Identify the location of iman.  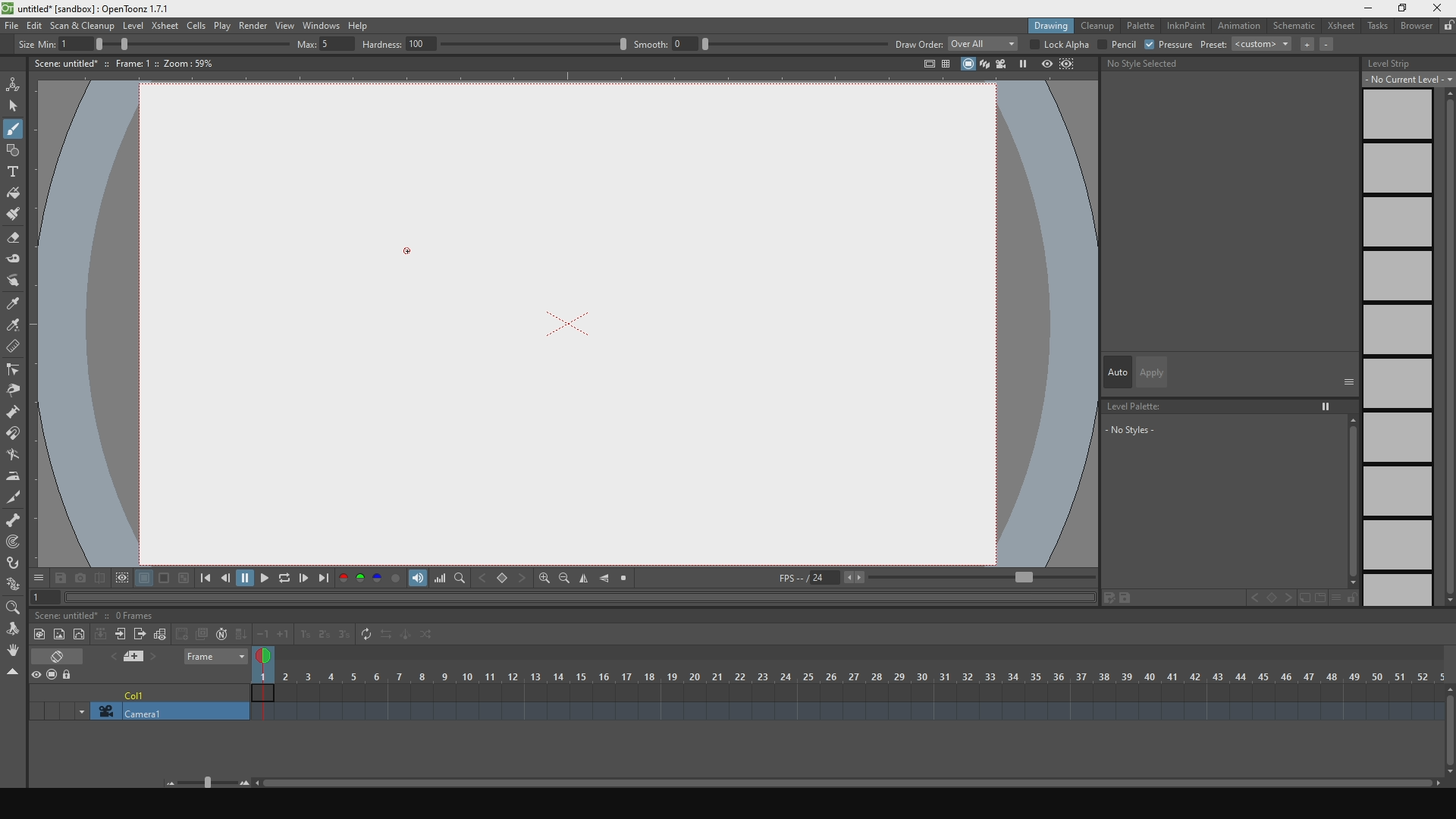
(17, 436).